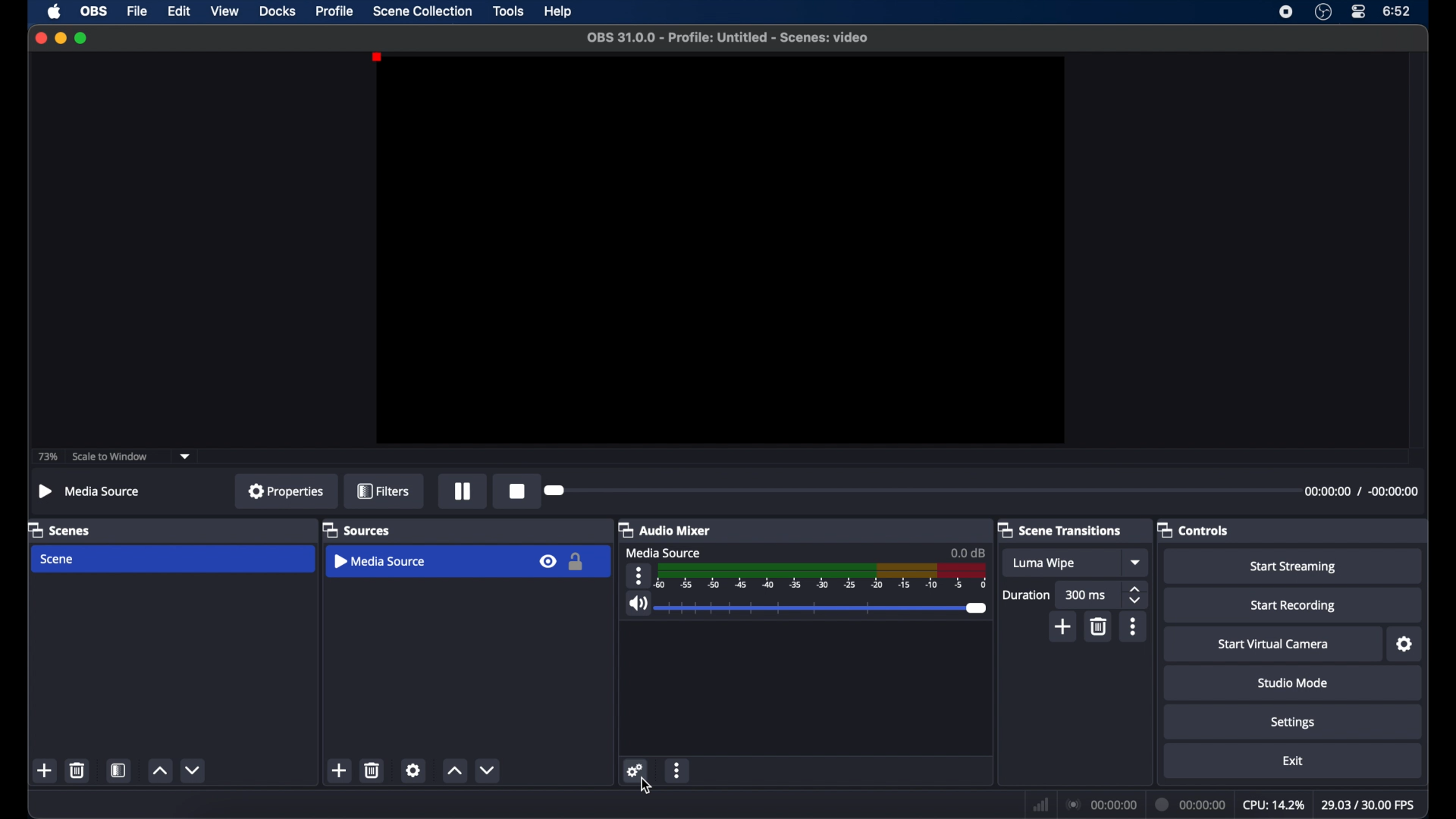 This screenshot has height=819, width=1456. What do you see at coordinates (968, 552) in the screenshot?
I see `0.0` at bounding box center [968, 552].